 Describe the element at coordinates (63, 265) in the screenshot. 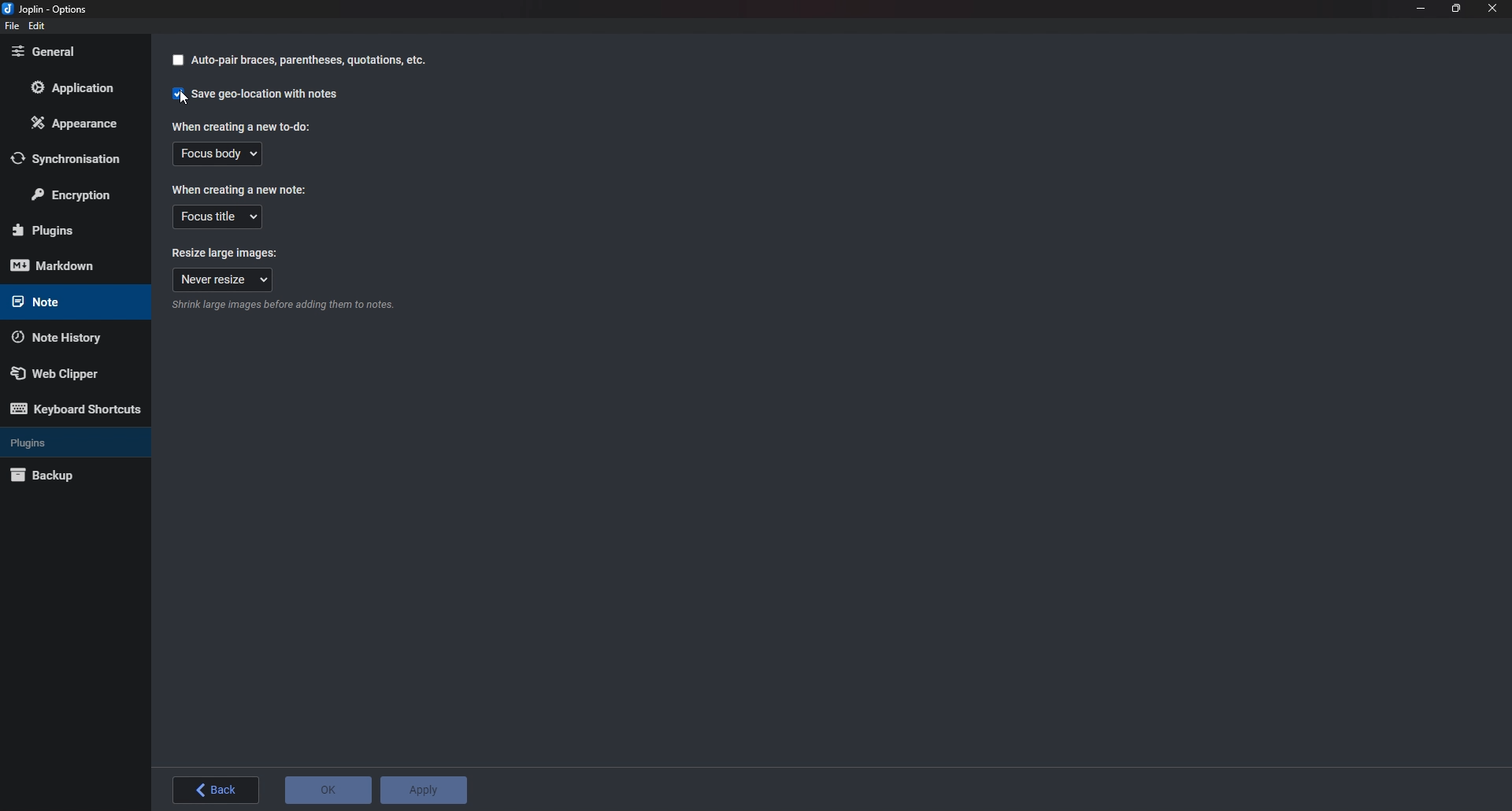

I see `Mark down` at that location.